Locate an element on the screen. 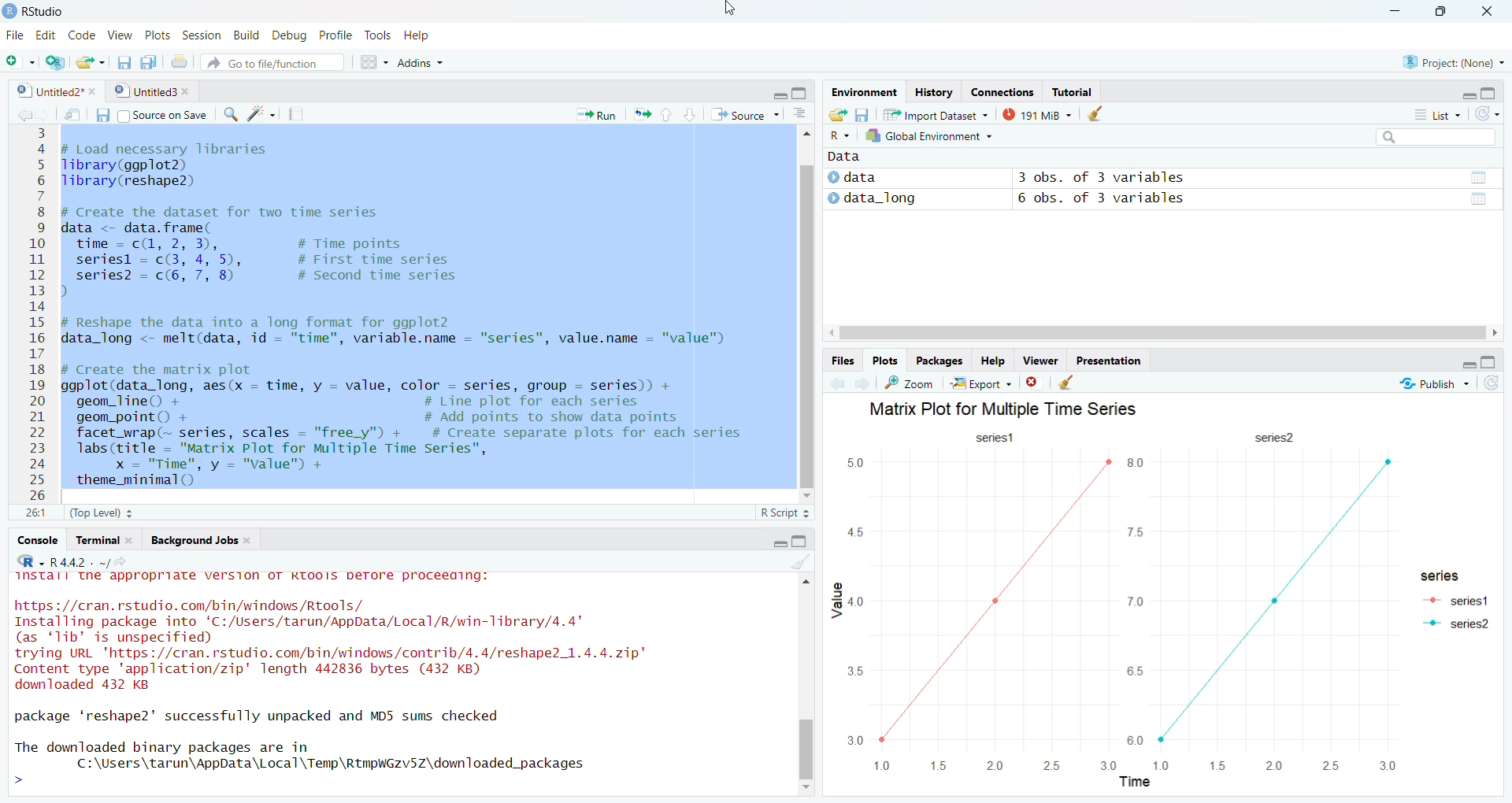 The width and height of the screenshot is (1512, 803). minimize is located at coordinates (777, 545).